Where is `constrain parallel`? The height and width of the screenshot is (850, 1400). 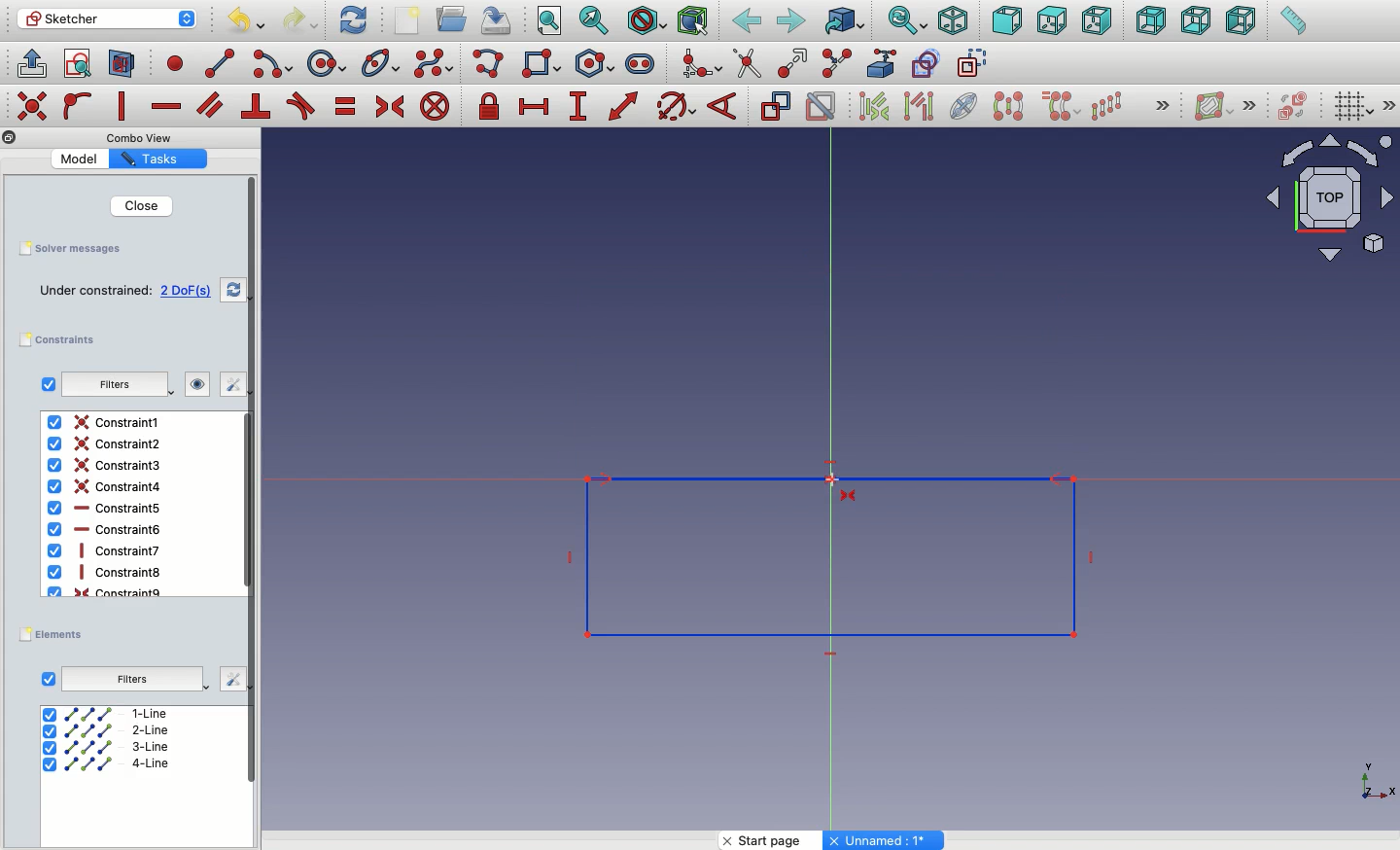
constrain parallel is located at coordinates (211, 105).